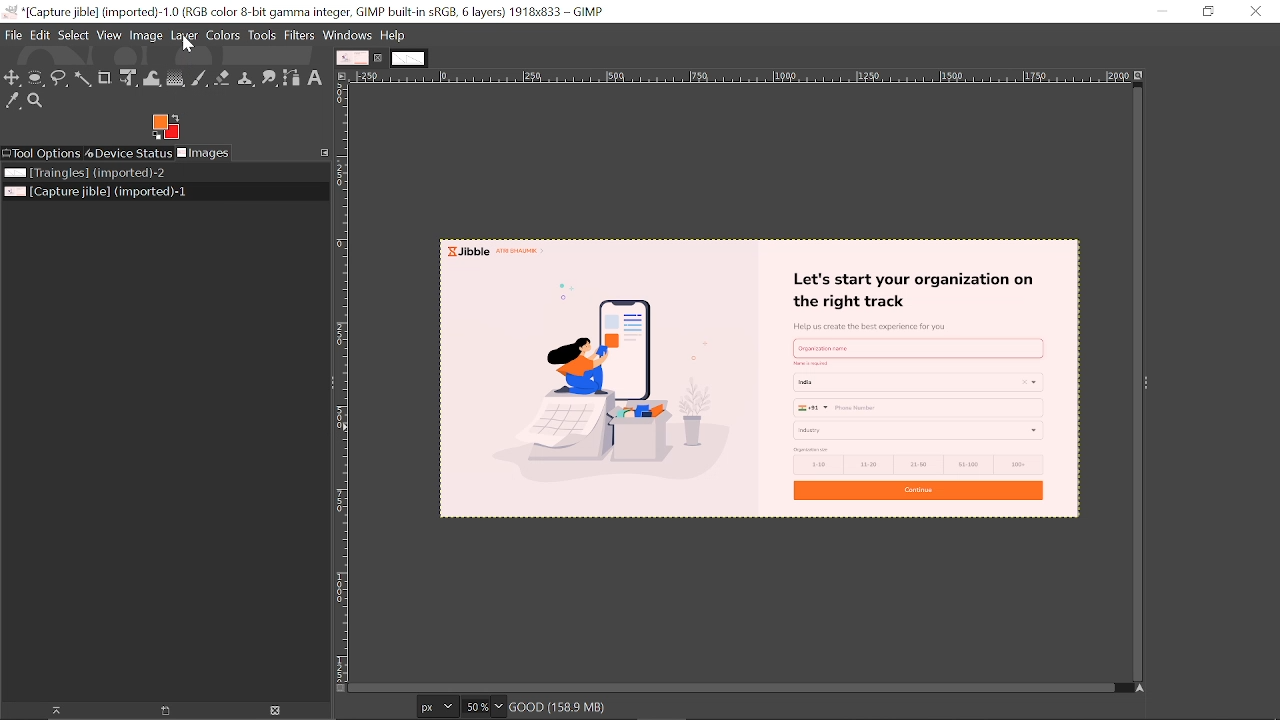 Image resolution: width=1280 pixels, height=720 pixels. Describe the element at coordinates (316, 77) in the screenshot. I see `Text tool` at that location.